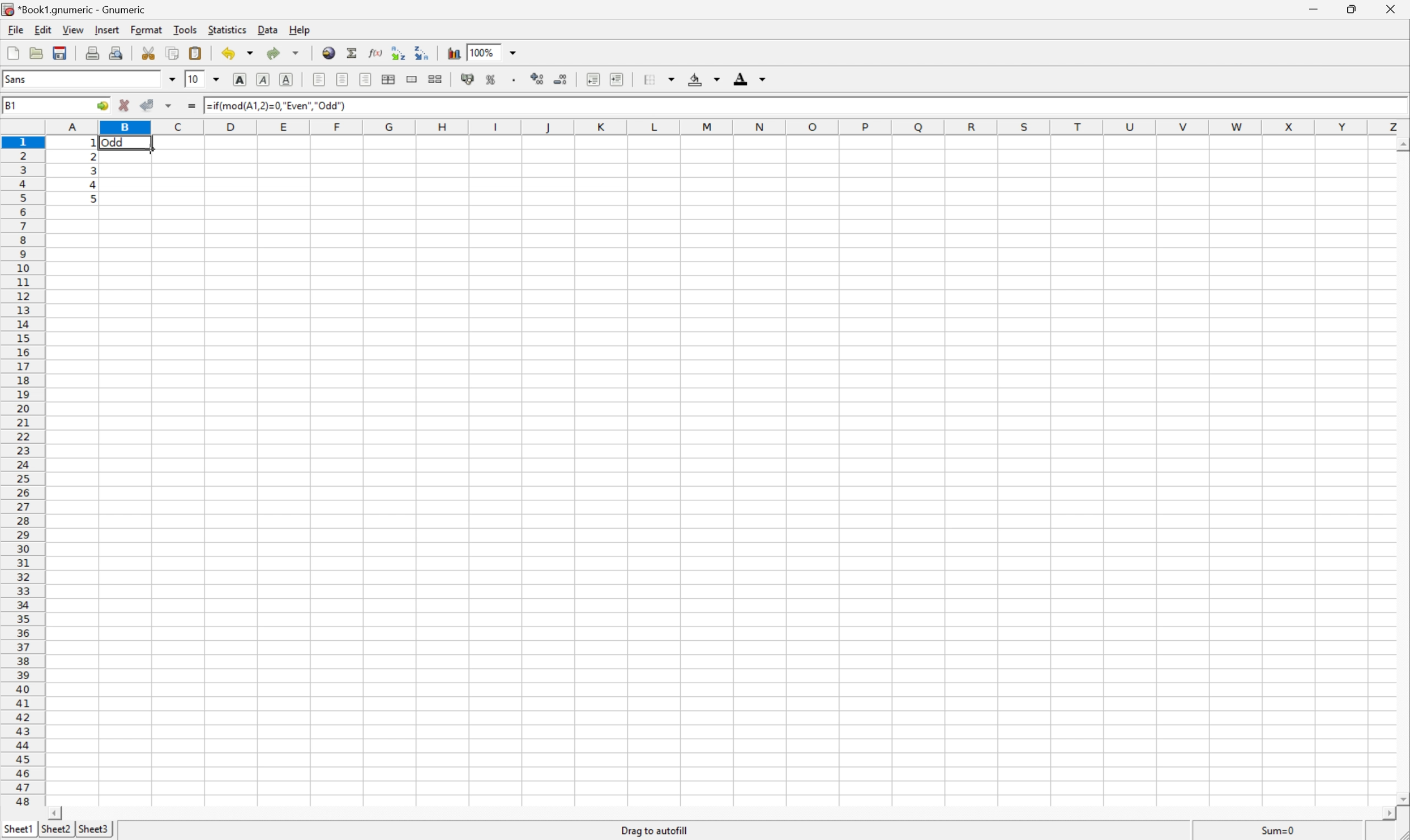 The height and width of the screenshot is (840, 1410). What do you see at coordinates (412, 79) in the screenshot?
I see `Merge range of cells` at bounding box center [412, 79].